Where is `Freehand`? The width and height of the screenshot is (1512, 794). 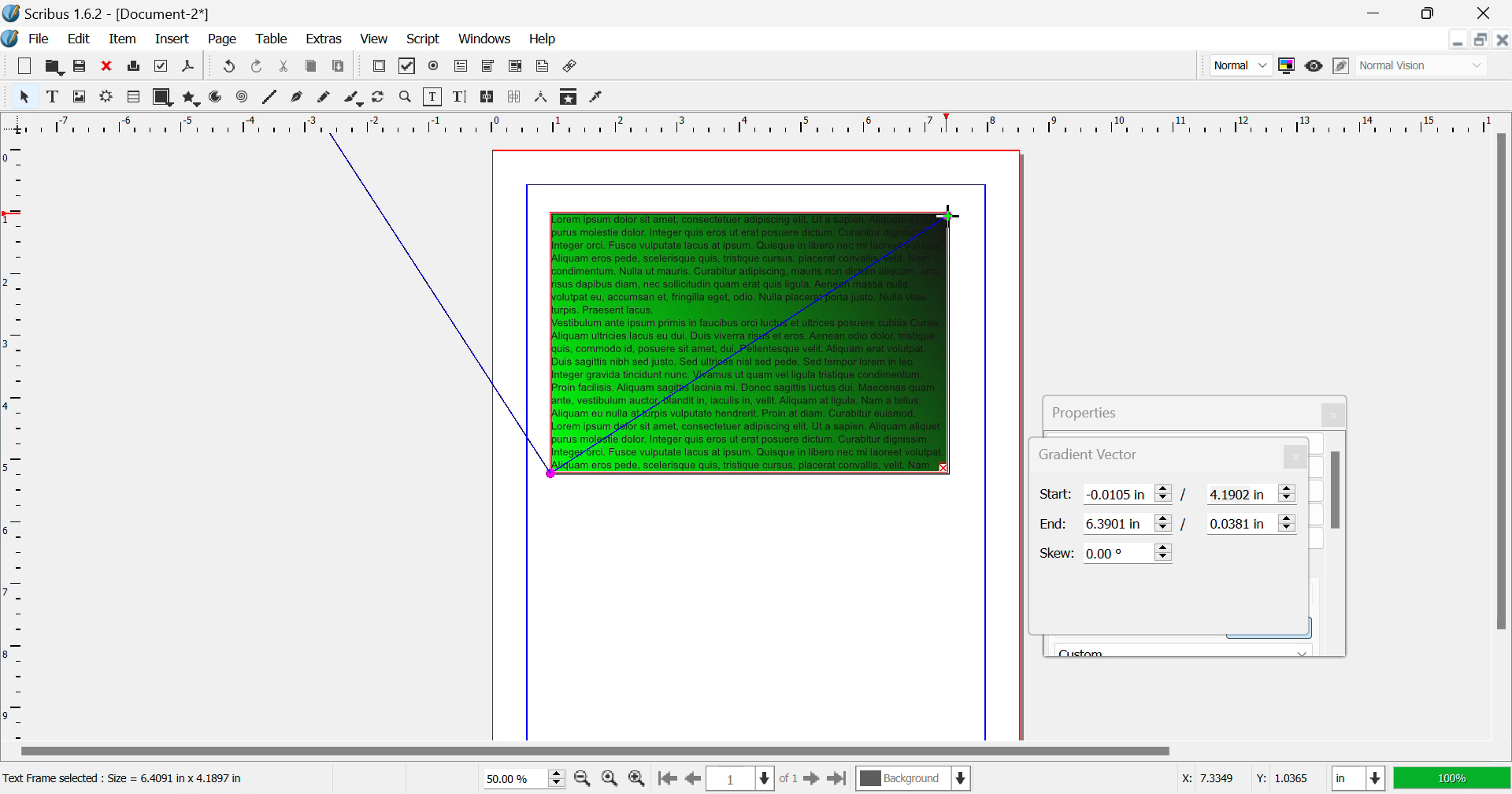
Freehand is located at coordinates (326, 98).